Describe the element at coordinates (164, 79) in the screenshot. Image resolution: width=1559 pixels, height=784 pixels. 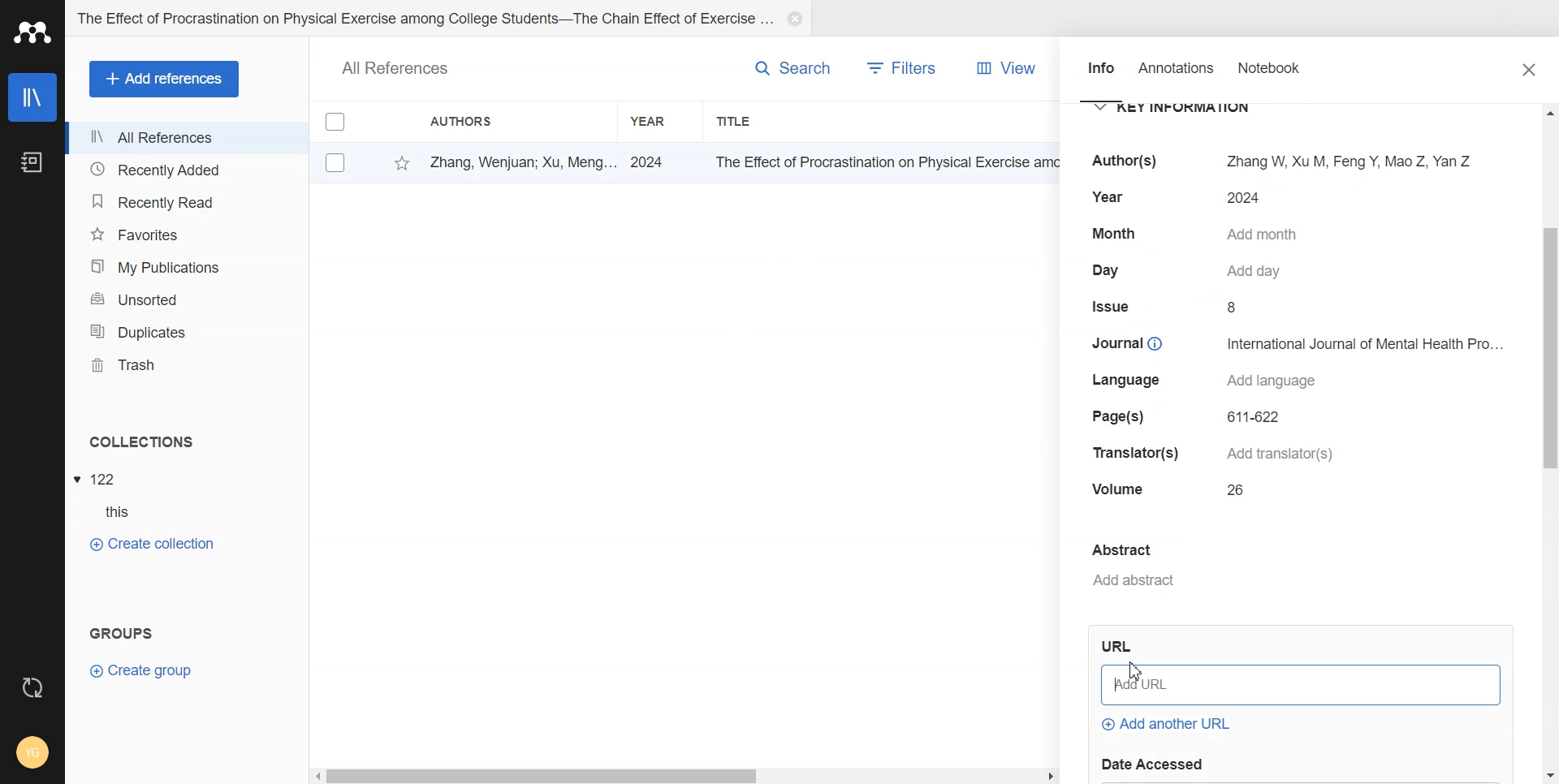
I see `Add Refrences` at that location.